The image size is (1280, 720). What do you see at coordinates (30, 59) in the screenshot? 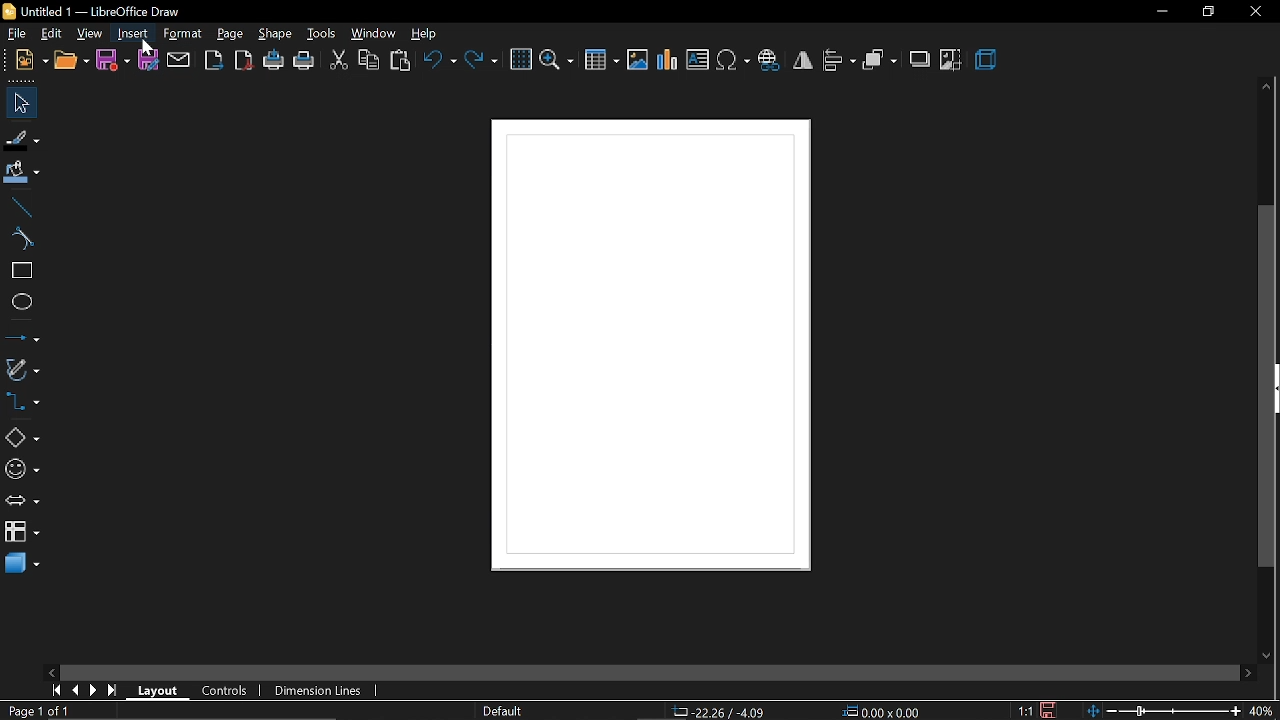
I see `new ` at bounding box center [30, 59].